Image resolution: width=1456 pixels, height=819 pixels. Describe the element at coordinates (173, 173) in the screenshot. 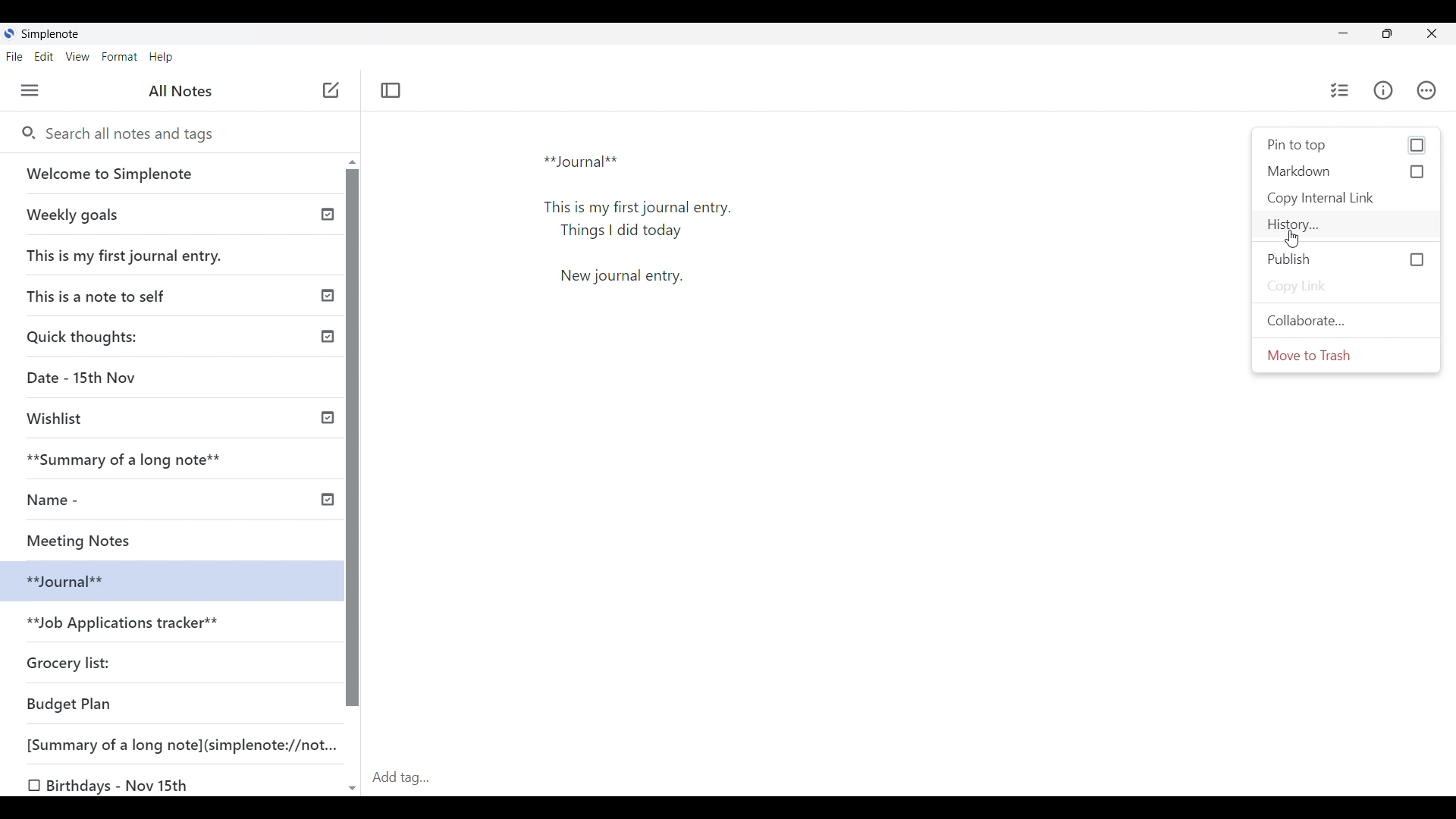

I see `Welcome note by SimpleNote` at that location.